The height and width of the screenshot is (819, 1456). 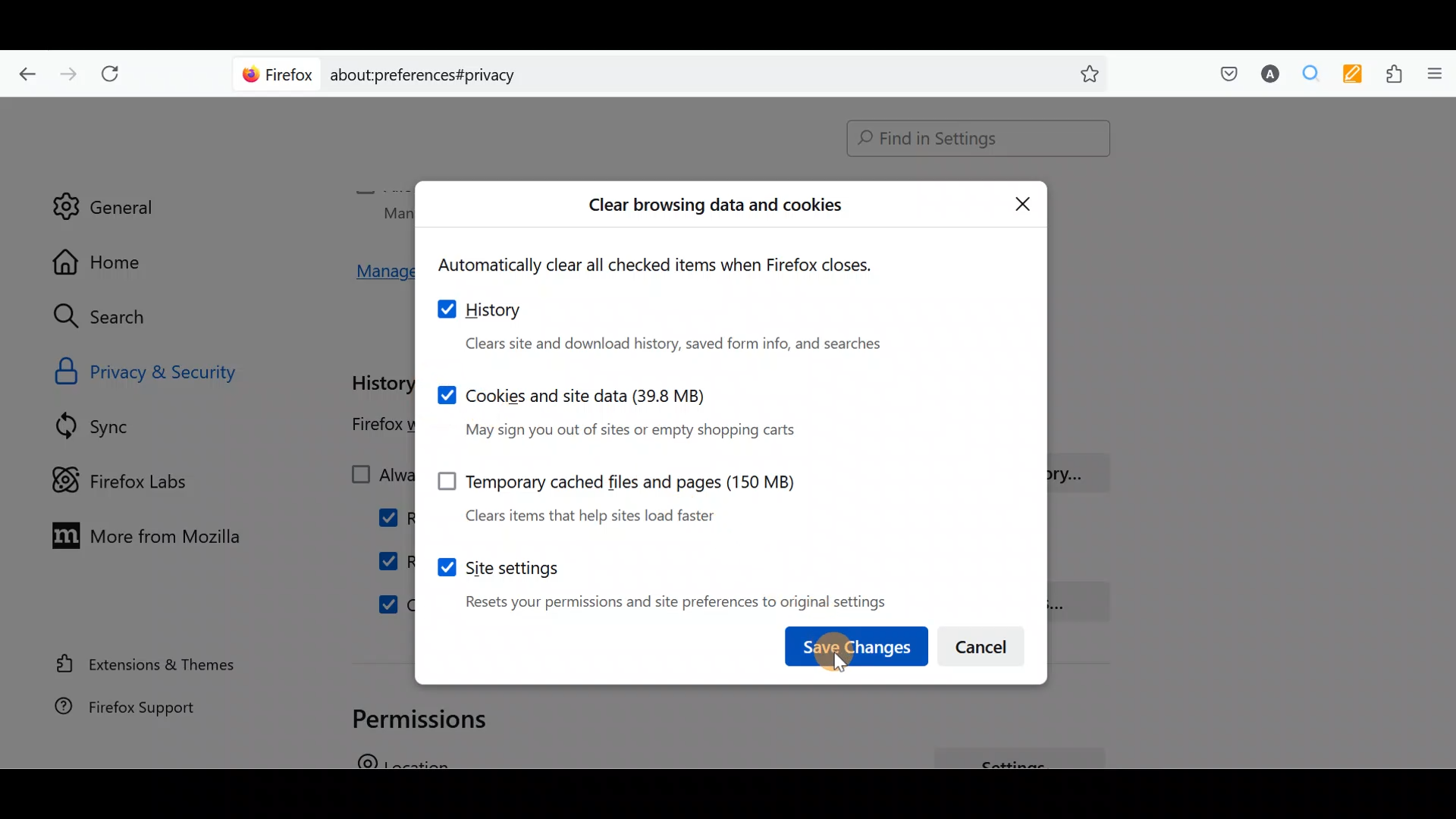 What do you see at coordinates (67, 70) in the screenshot?
I see `Go forward one page` at bounding box center [67, 70].